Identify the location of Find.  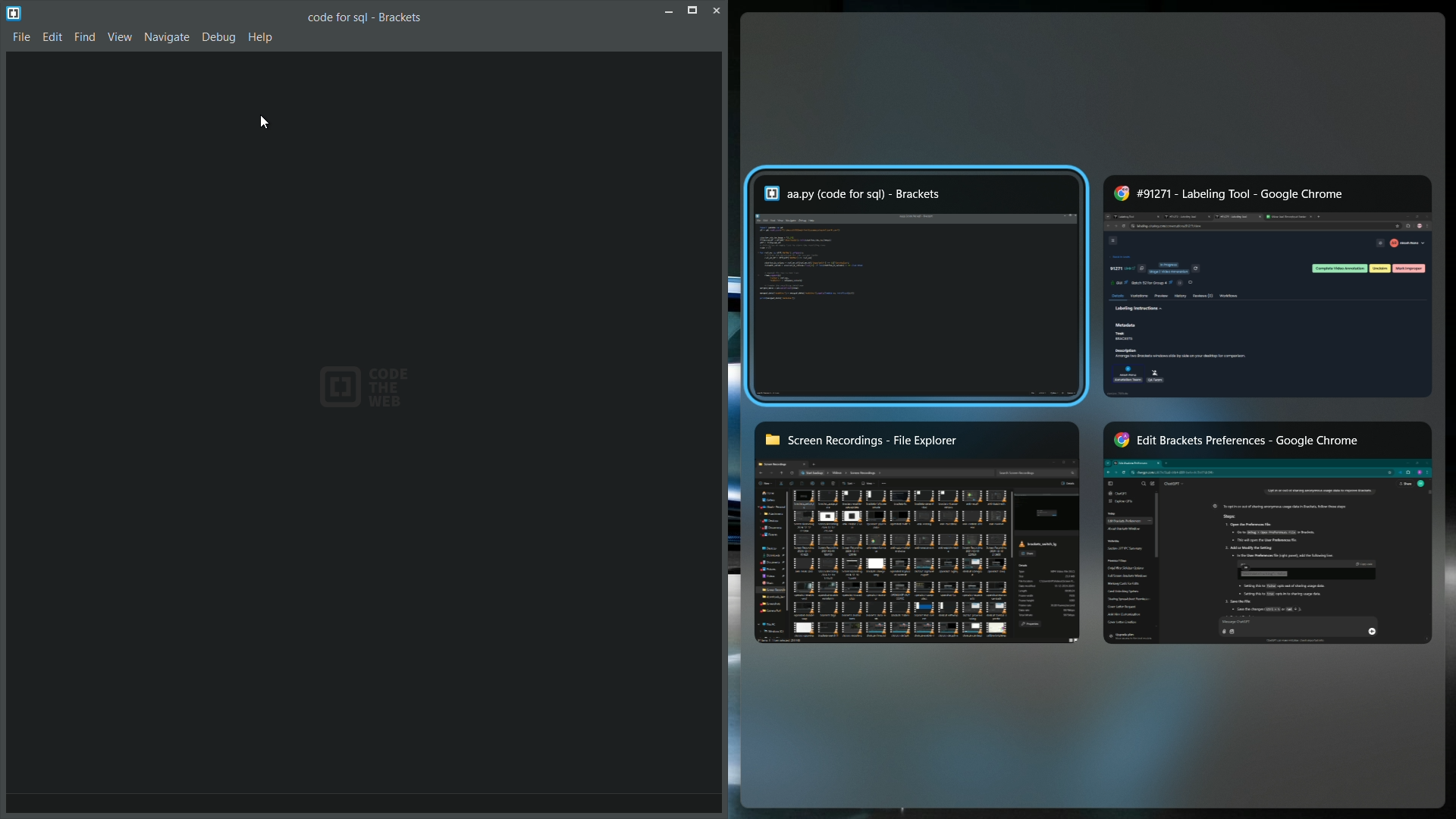
(88, 38).